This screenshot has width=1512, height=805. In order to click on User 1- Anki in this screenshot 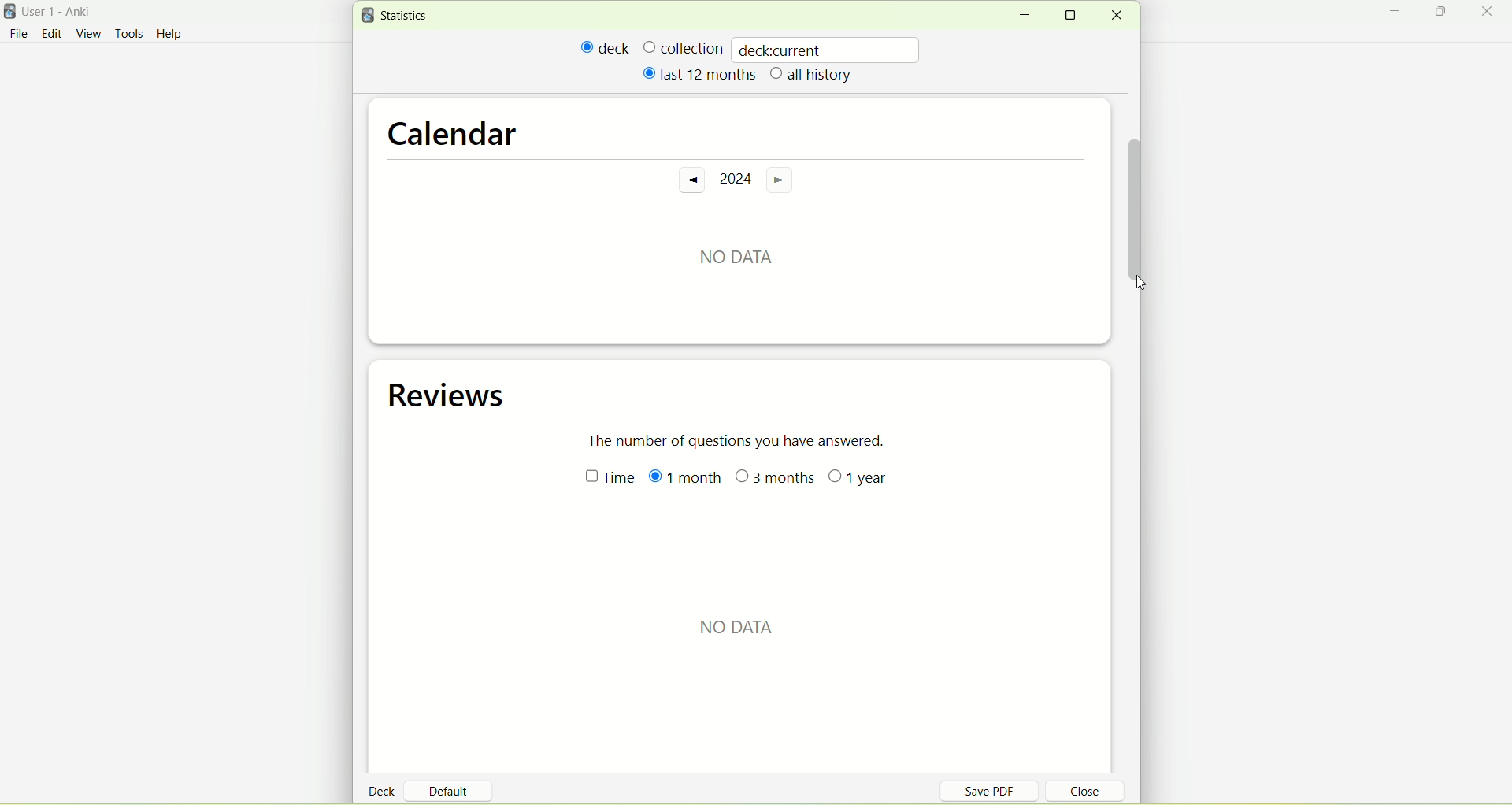, I will do `click(67, 14)`.